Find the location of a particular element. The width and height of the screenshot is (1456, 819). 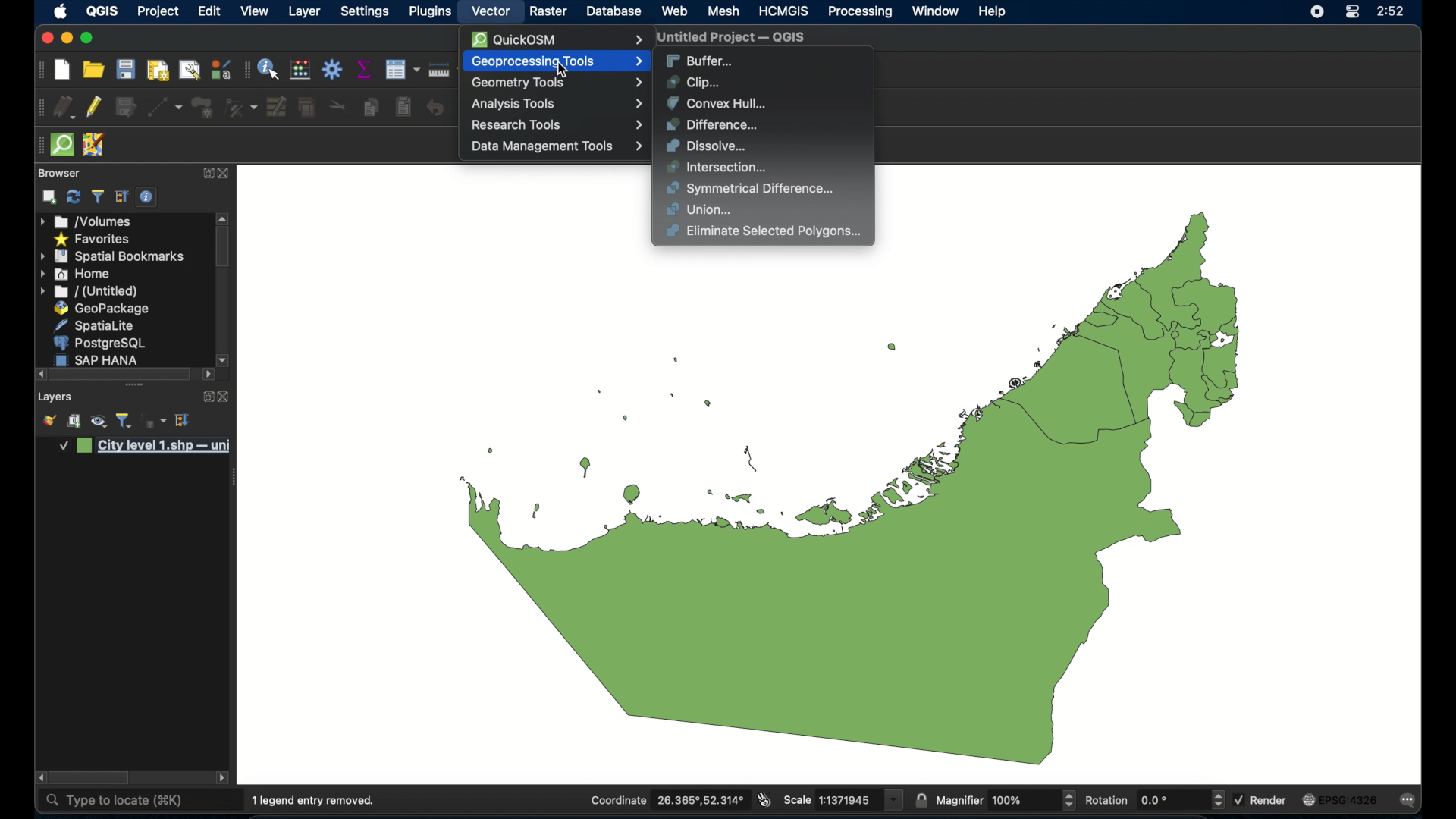

HCMGIS is located at coordinates (784, 11).